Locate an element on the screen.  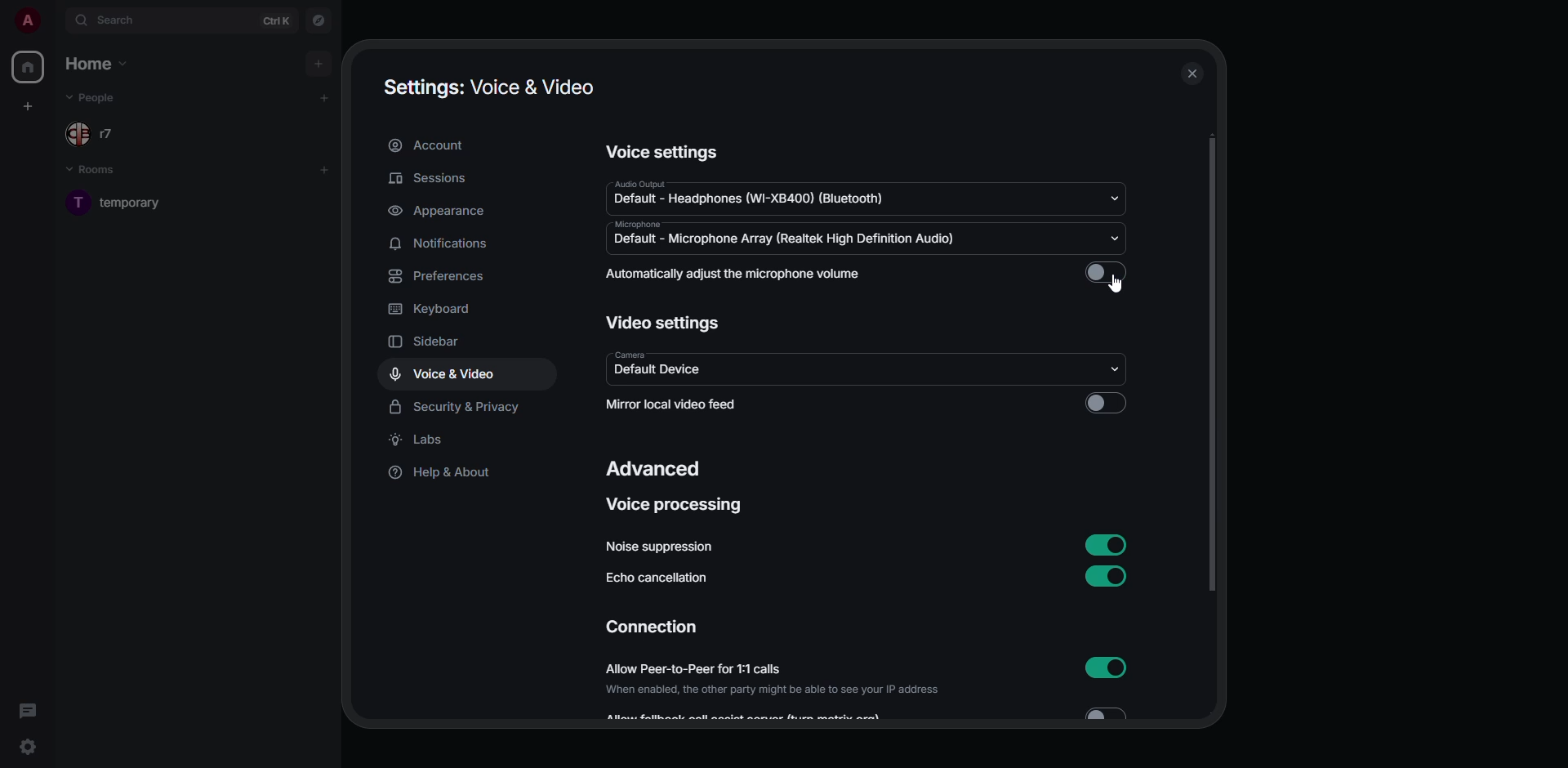
audio output is located at coordinates (665, 185).